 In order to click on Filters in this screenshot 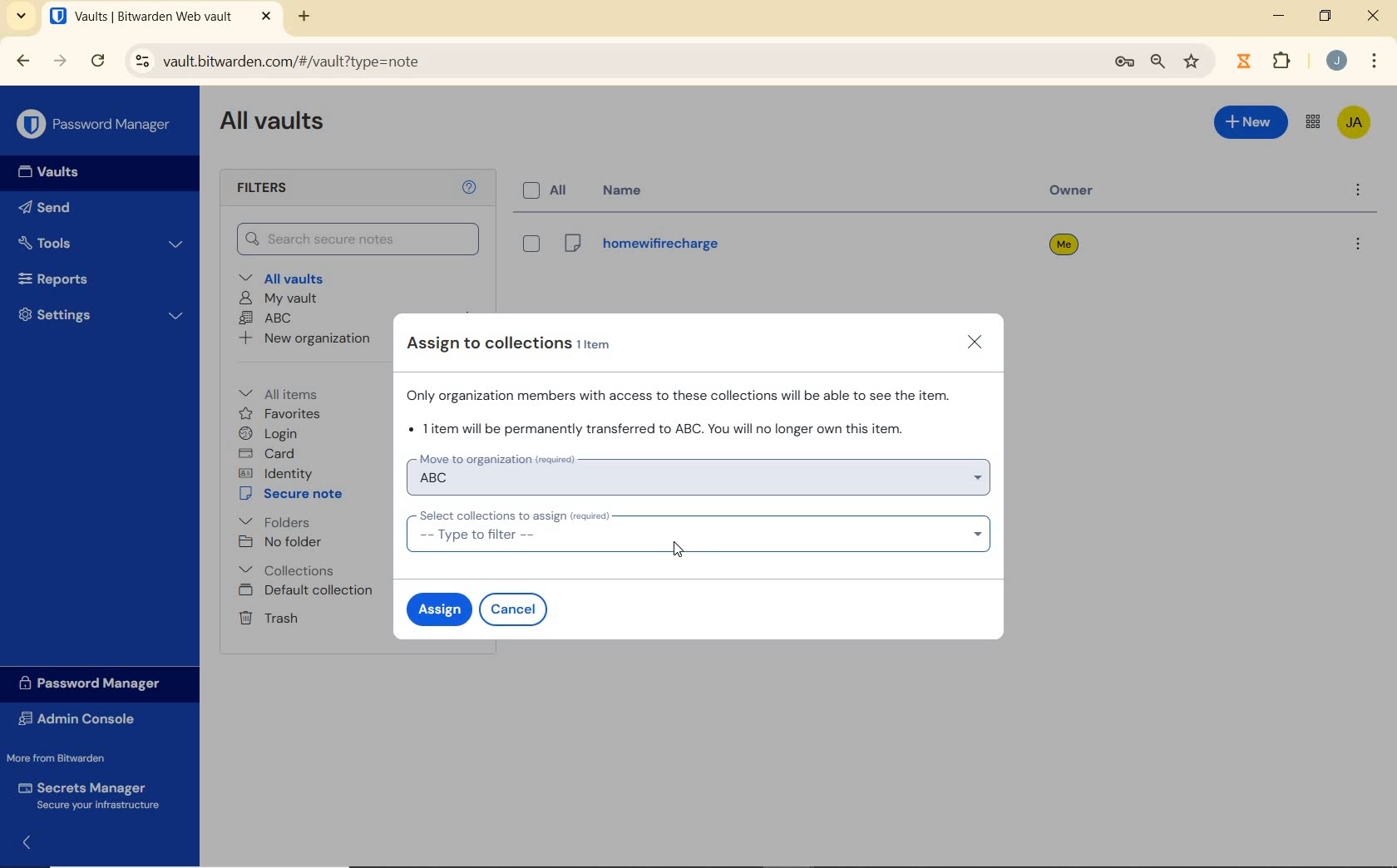, I will do `click(281, 189)`.